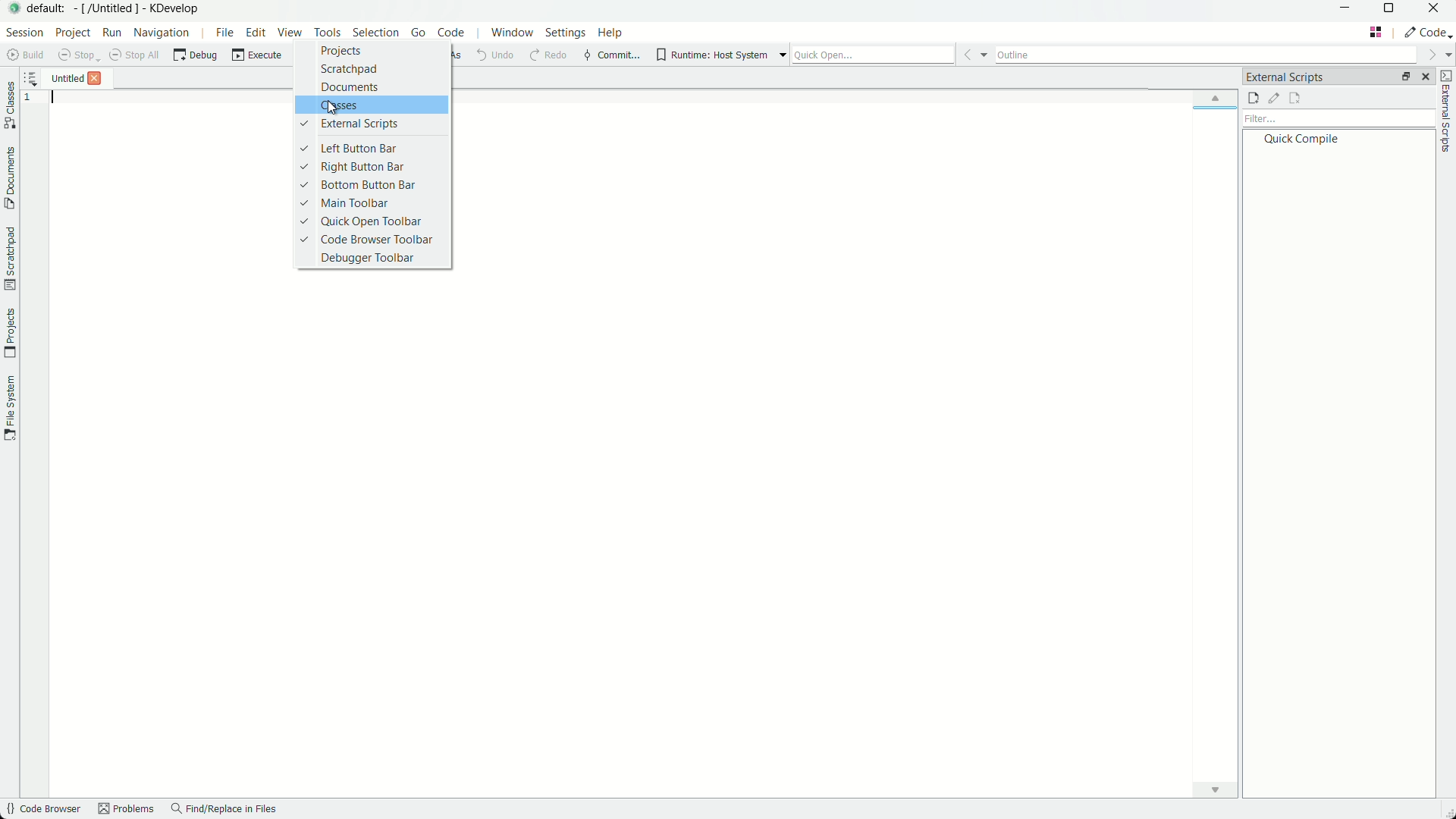 The width and height of the screenshot is (1456, 819). I want to click on bottom button bar, so click(372, 185).